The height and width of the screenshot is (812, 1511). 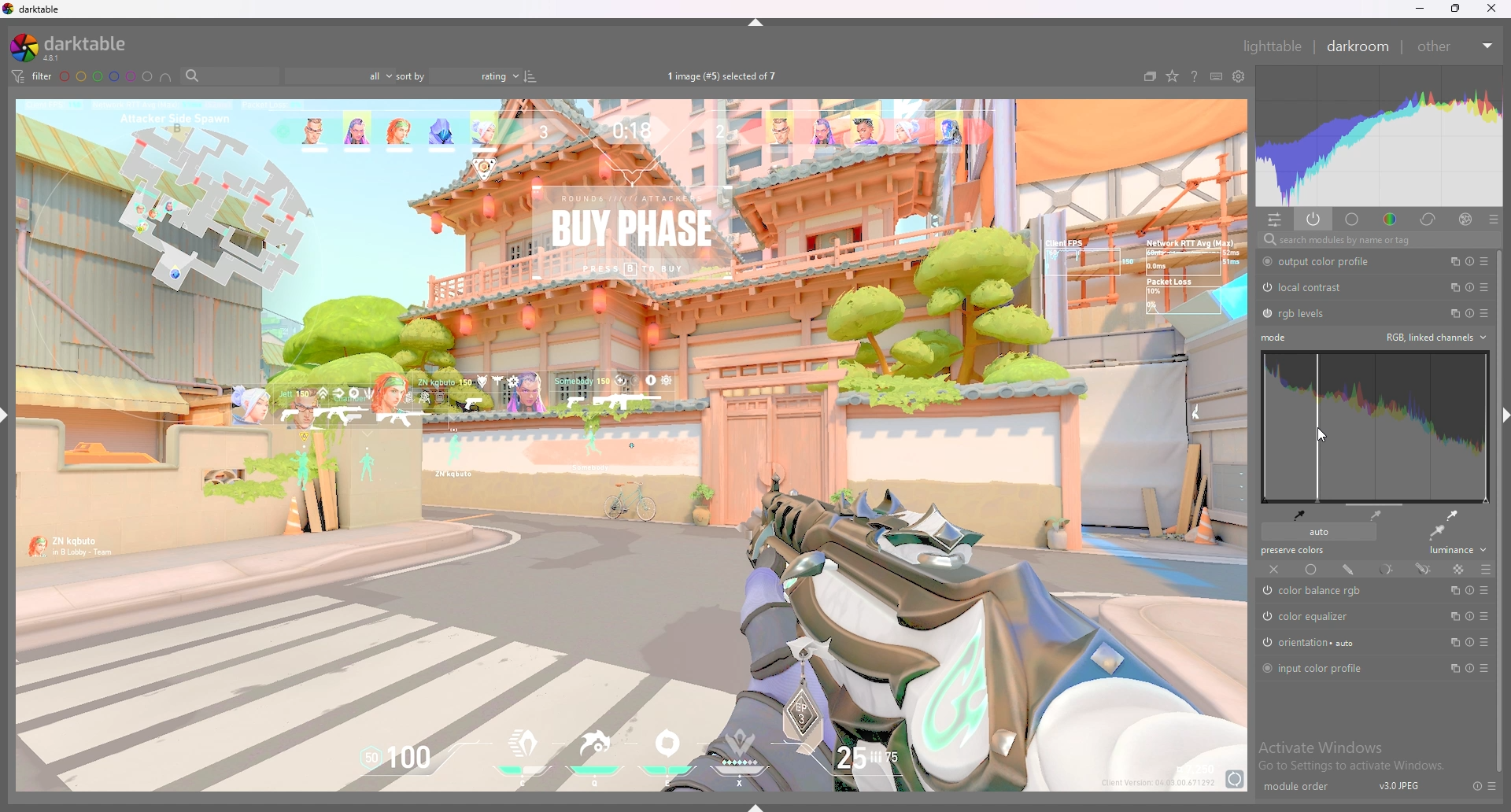 What do you see at coordinates (1356, 755) in the screenshot?
I see `Windows Activation Prompt` at bounding box center [1356, 755].